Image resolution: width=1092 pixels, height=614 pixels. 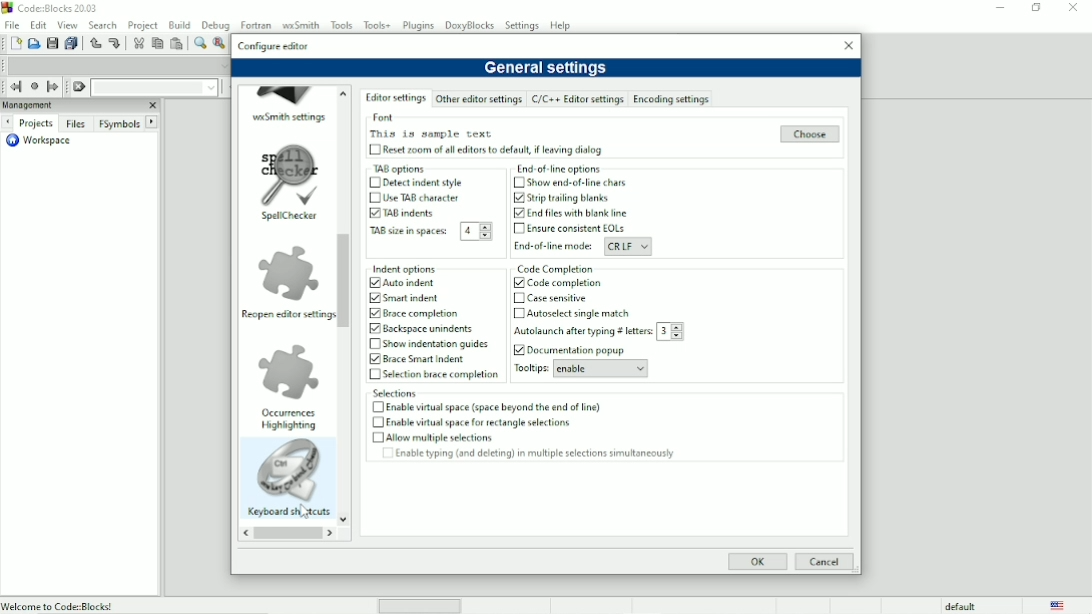 What do you see at coordinates (582, 350) in the screenshot?
I see `Documentation popup` at bounding box center [582, 350].